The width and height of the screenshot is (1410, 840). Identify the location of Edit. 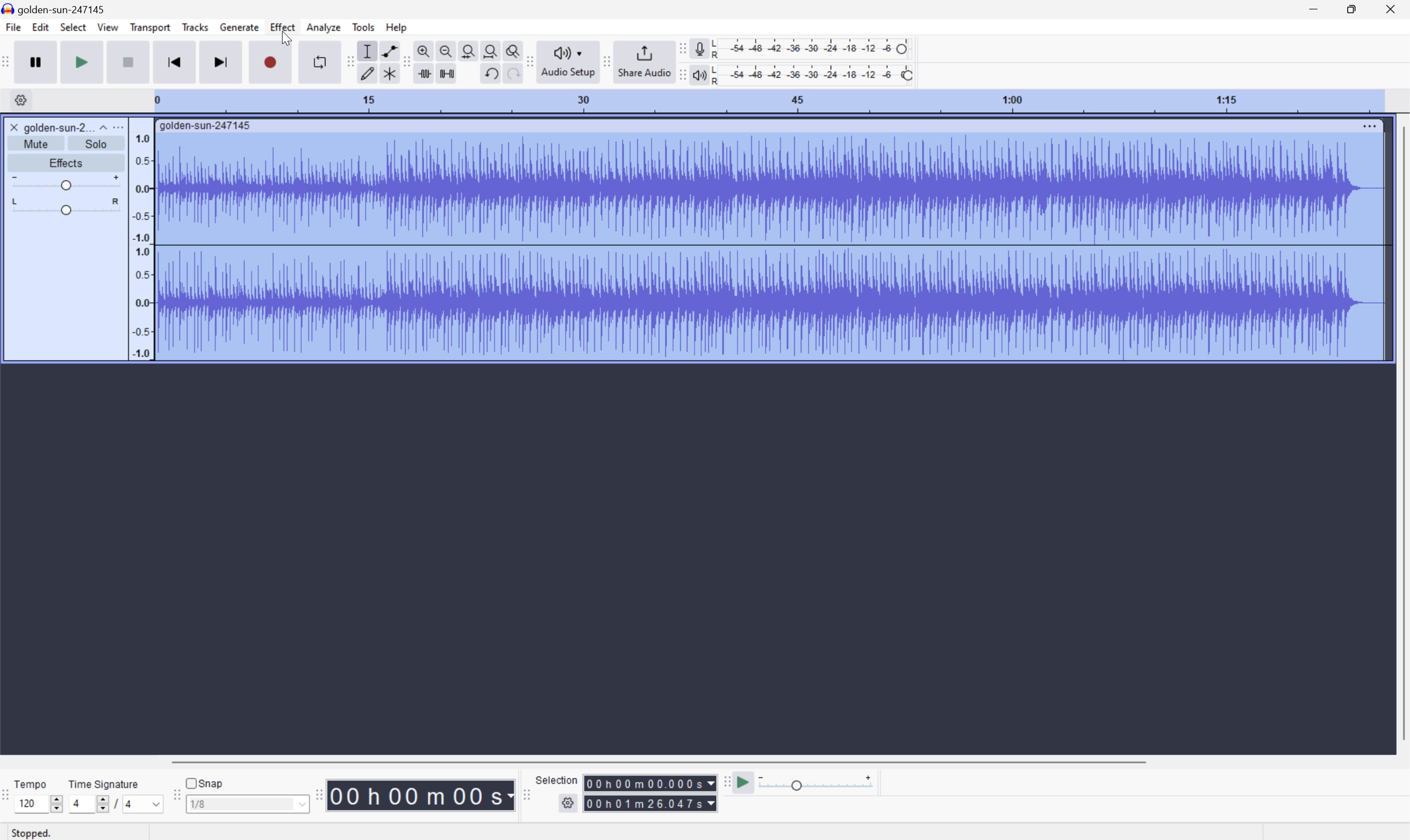
(40, 27).